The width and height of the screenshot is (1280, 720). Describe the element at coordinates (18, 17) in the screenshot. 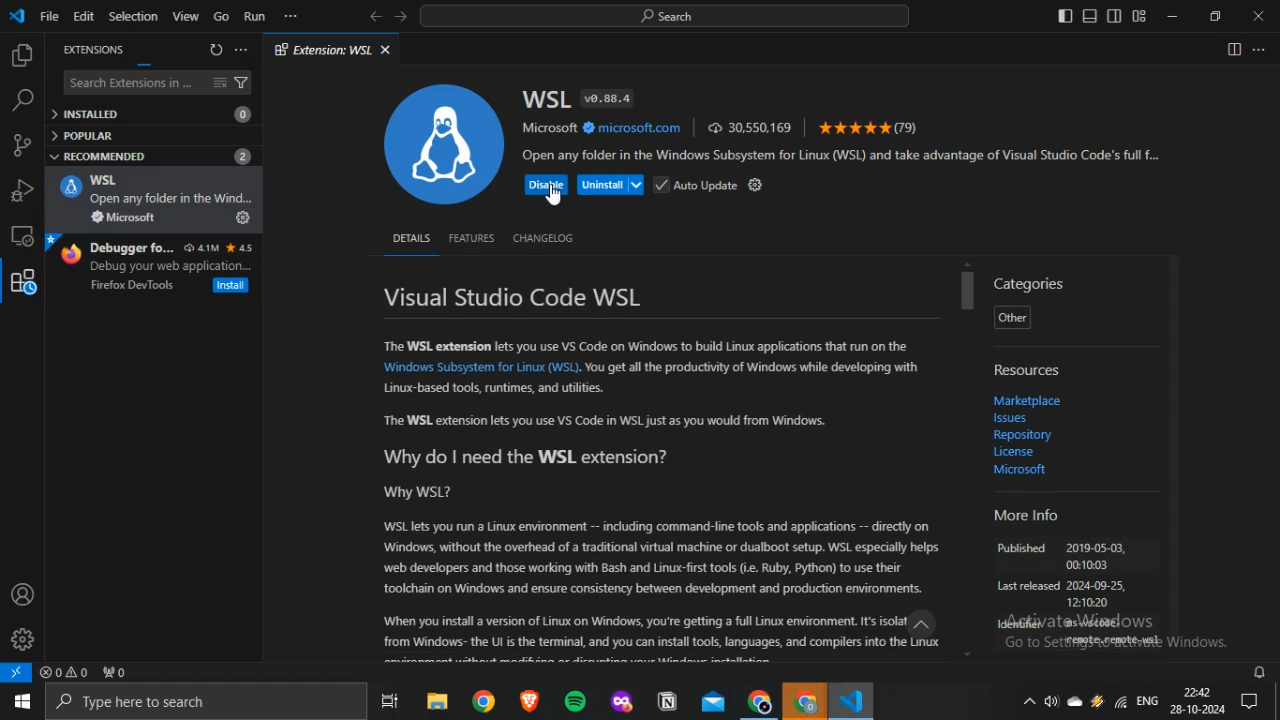

I see `vscode icon` at that location.